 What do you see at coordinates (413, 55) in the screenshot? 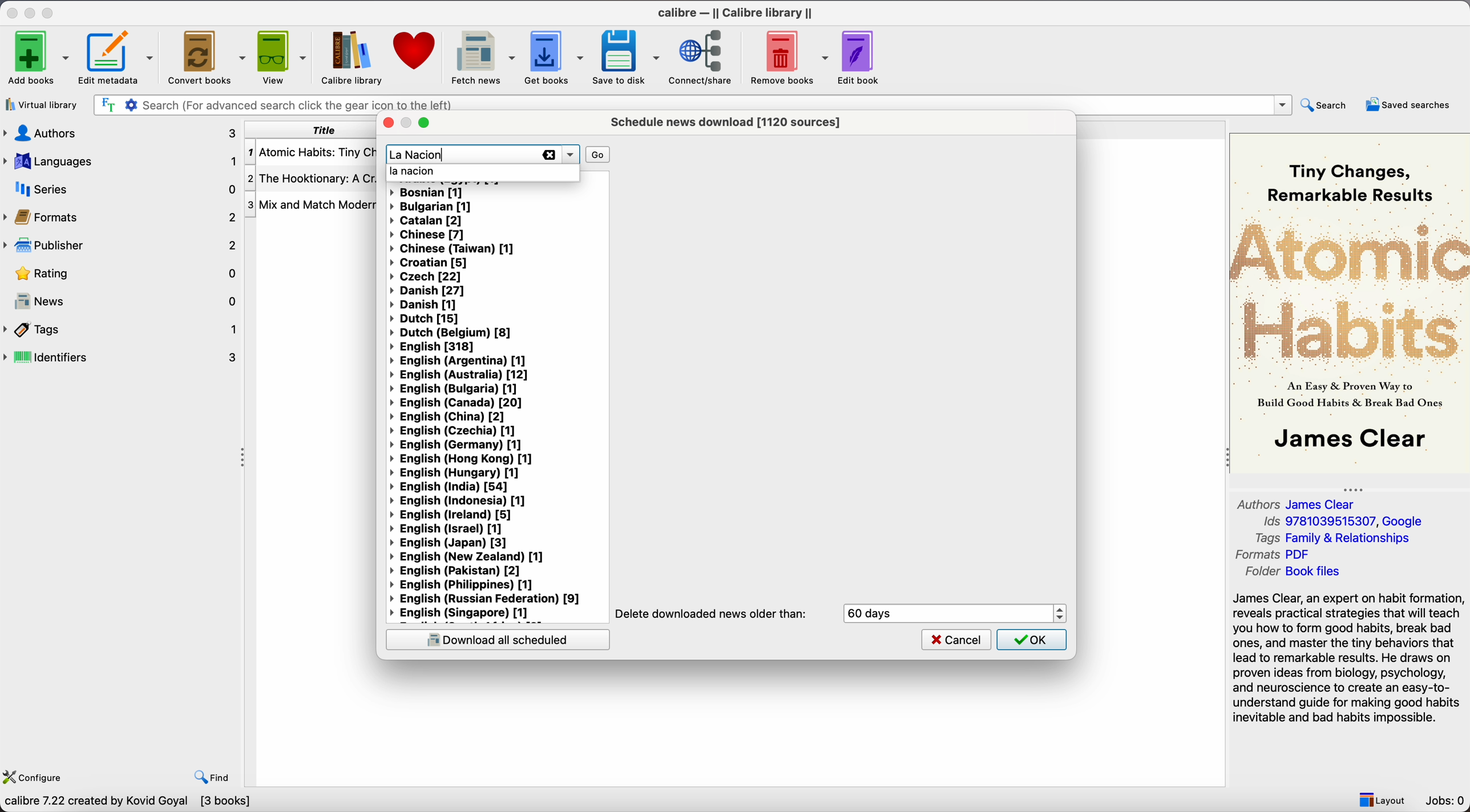
I see `donate` at bounding box center [413, 55].